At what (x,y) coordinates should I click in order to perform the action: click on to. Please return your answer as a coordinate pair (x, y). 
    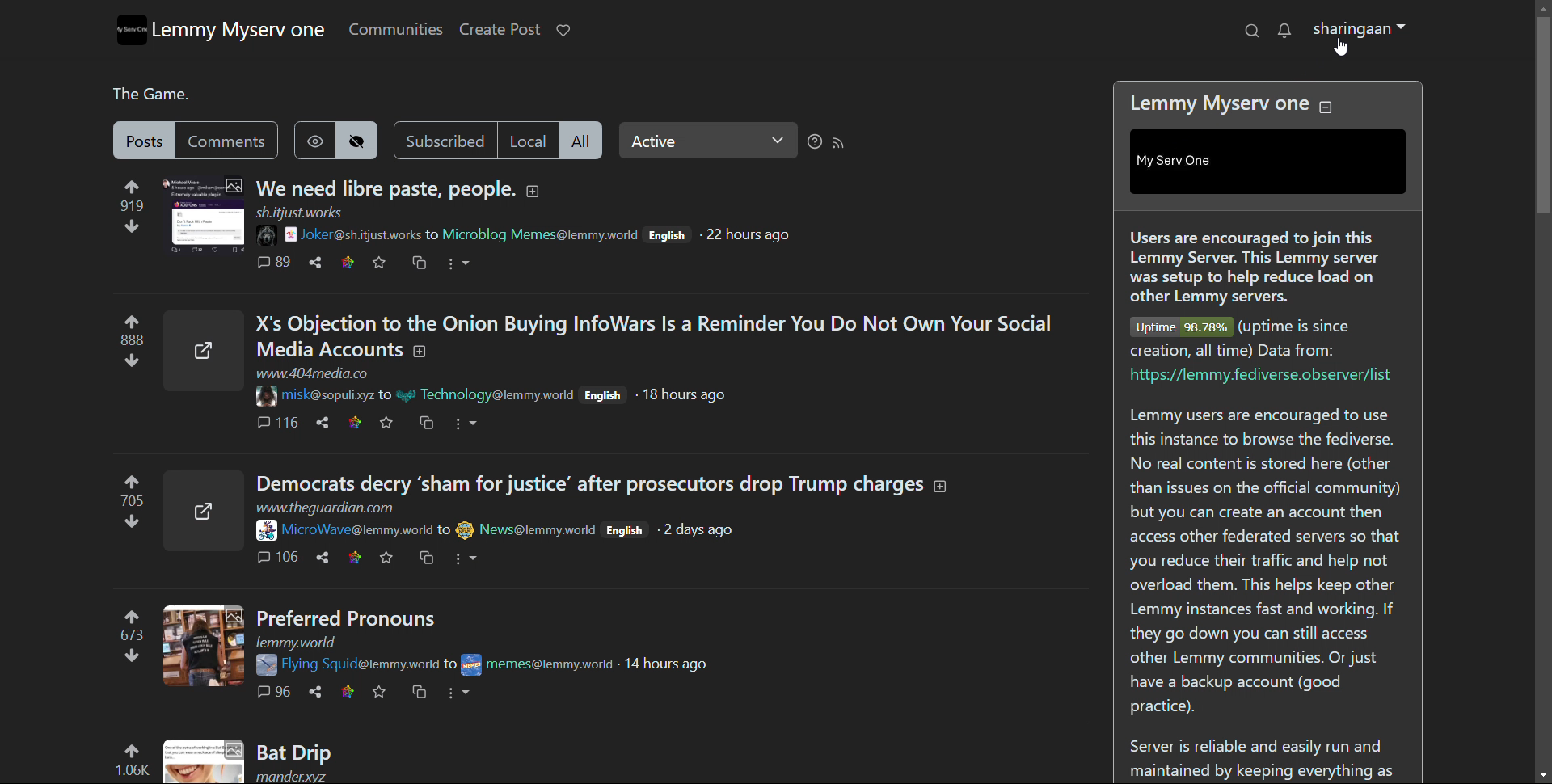
    Looking at the image, I should click on (445, 529).